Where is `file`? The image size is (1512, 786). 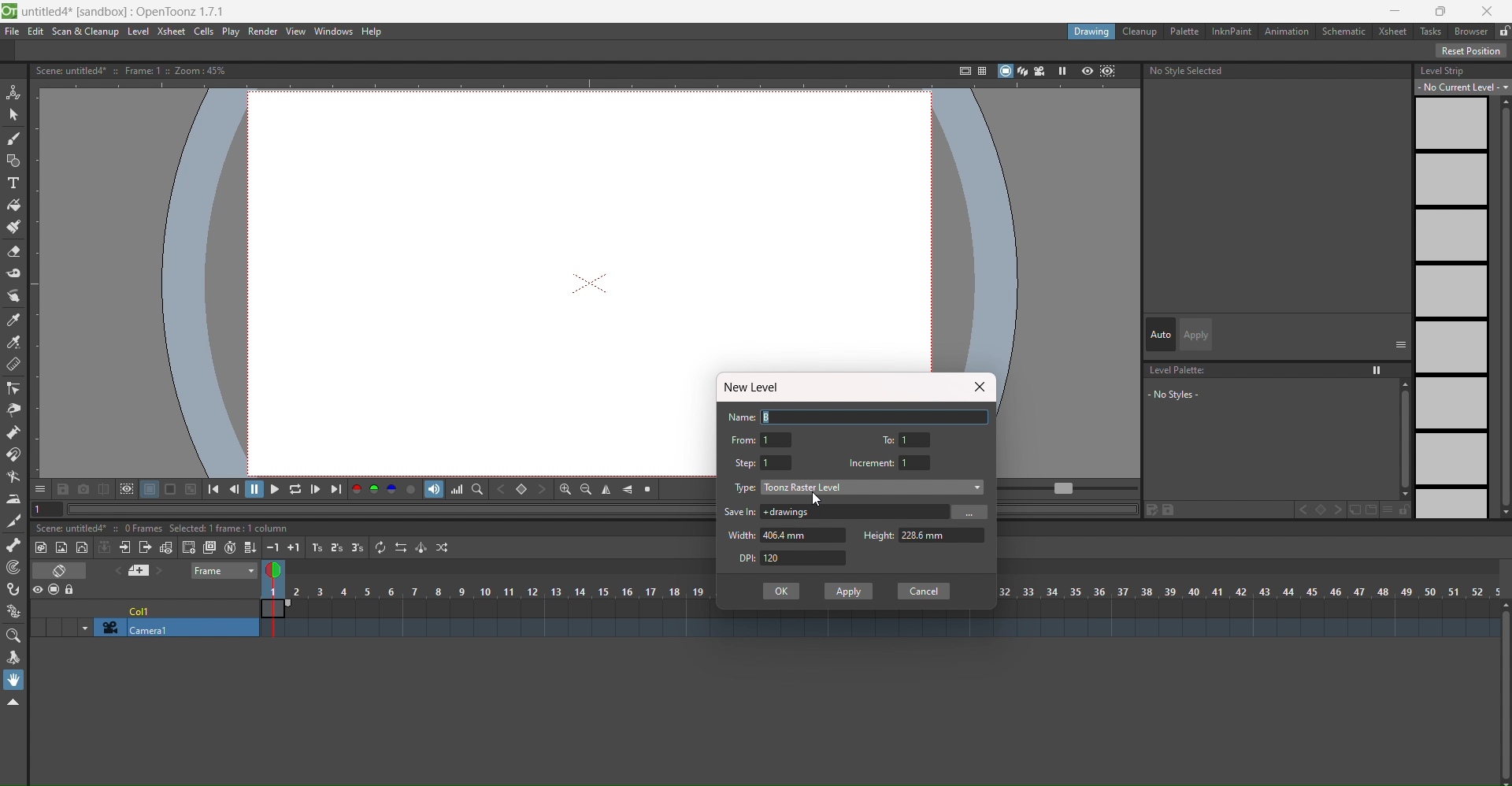 file is located at coordinates (13, 32).